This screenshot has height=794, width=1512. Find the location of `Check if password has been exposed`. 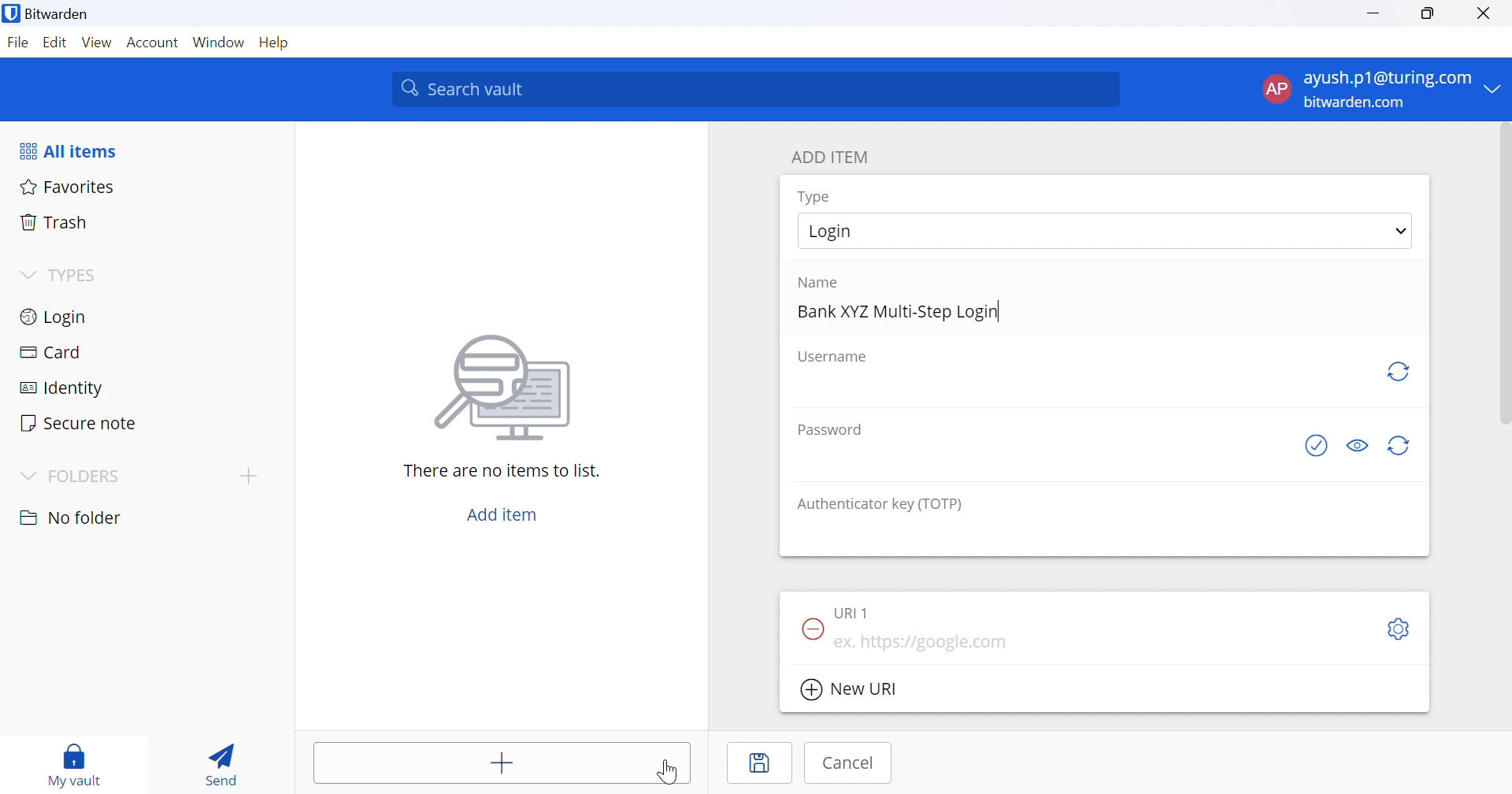

Check if password has been exposed is located at coordinates (1316, 449).